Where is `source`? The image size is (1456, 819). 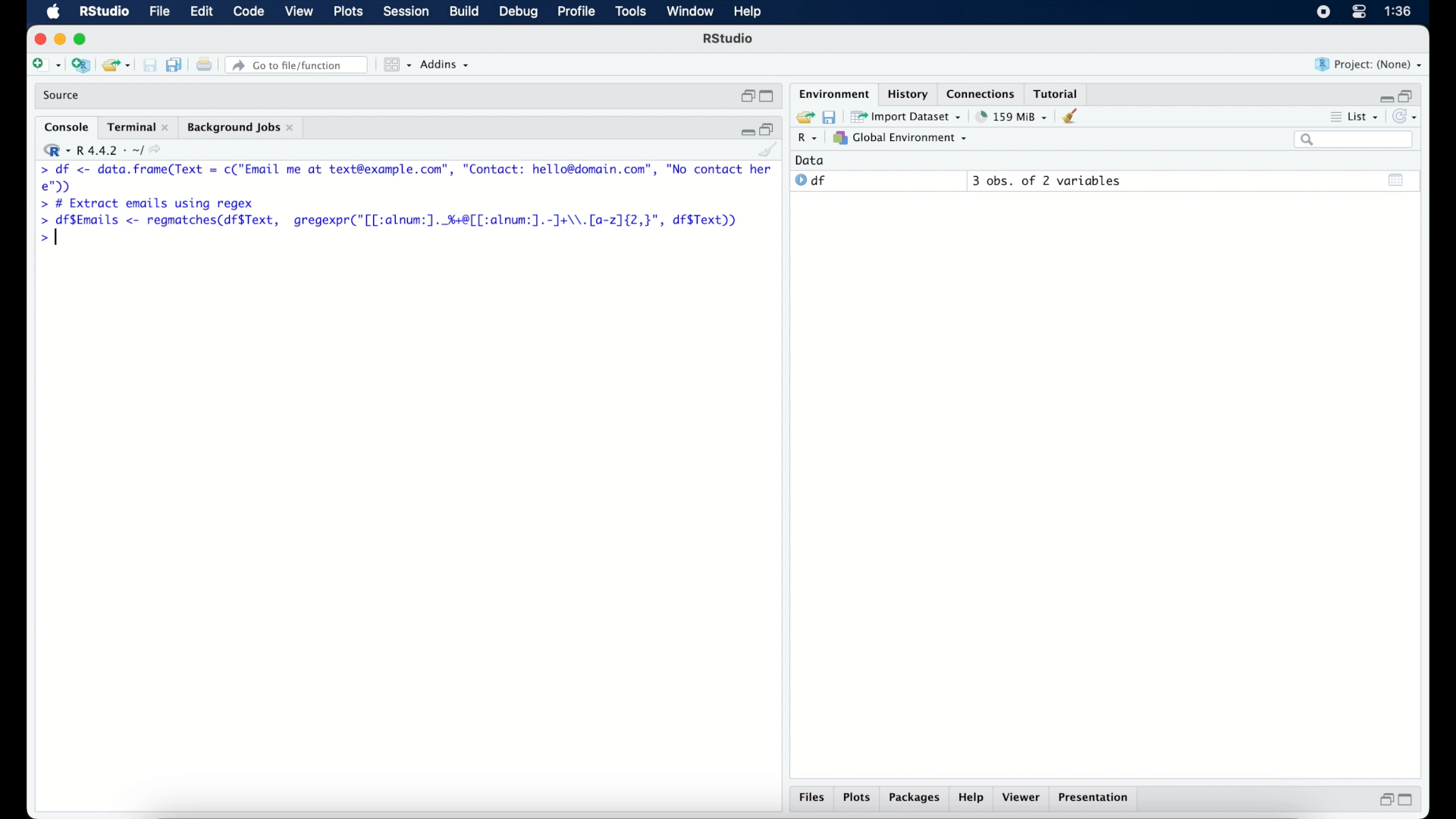
source is located at coordinates (64, 96).